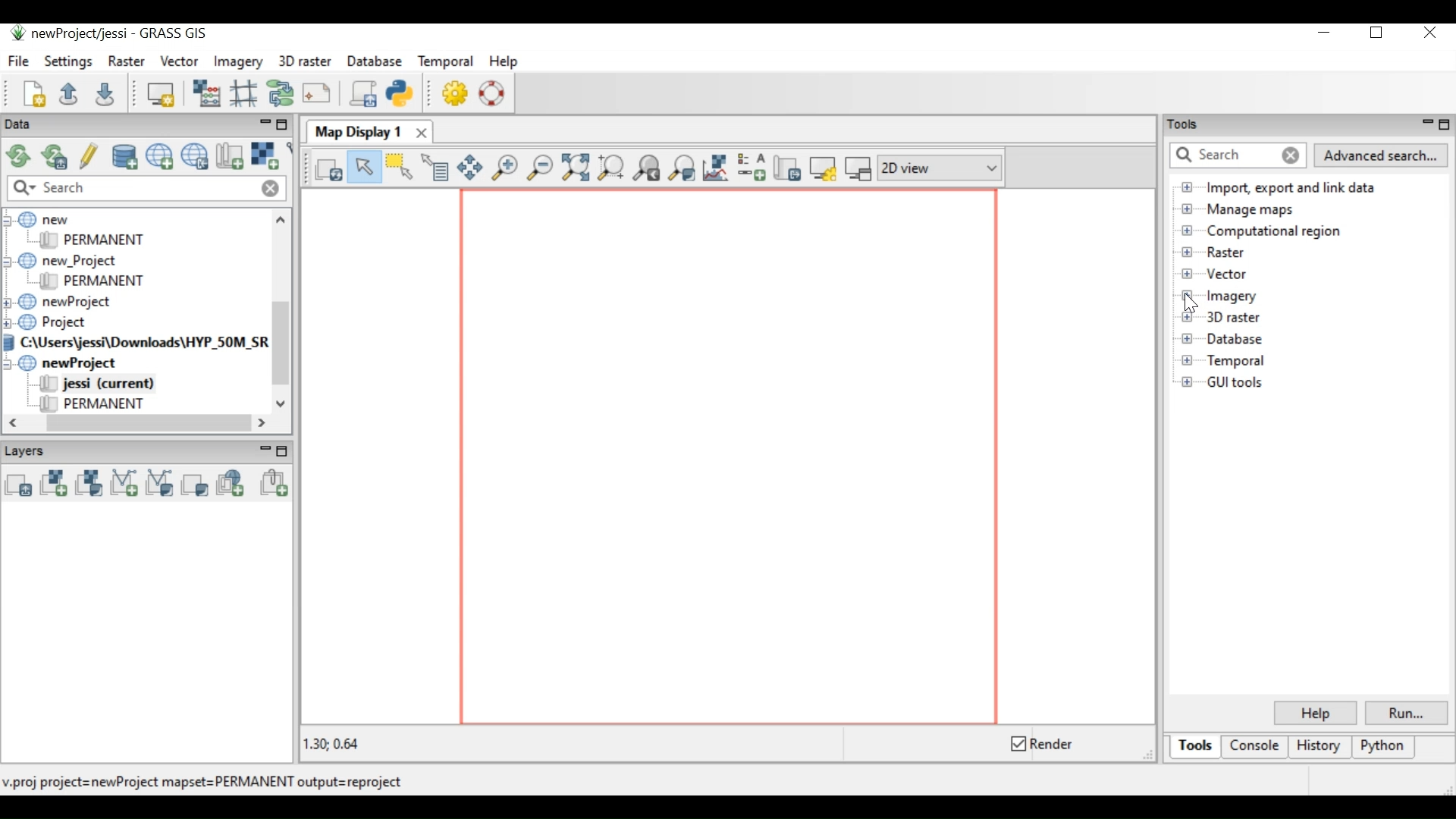 The image size is (1456, 819). I want to click on Import, export and link dat, so click(1280, 189).